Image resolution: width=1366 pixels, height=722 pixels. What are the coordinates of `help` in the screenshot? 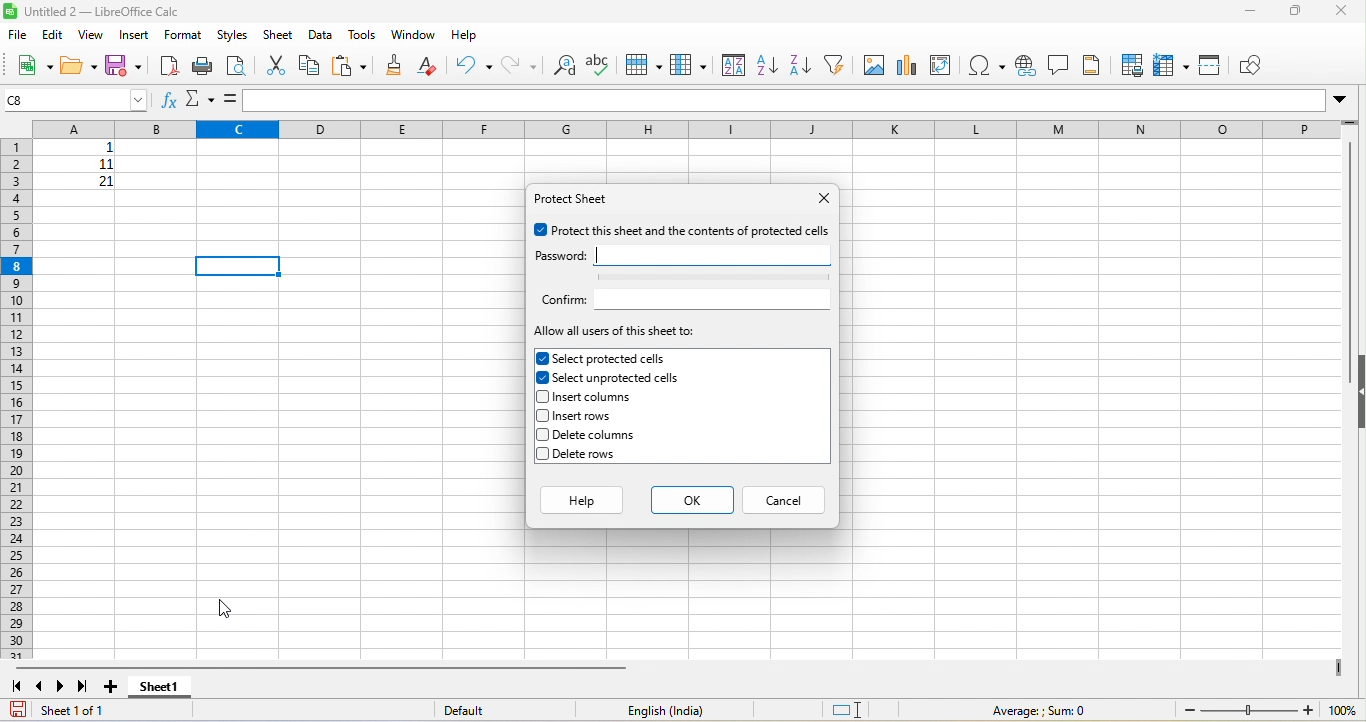 It's located at (471, 35).